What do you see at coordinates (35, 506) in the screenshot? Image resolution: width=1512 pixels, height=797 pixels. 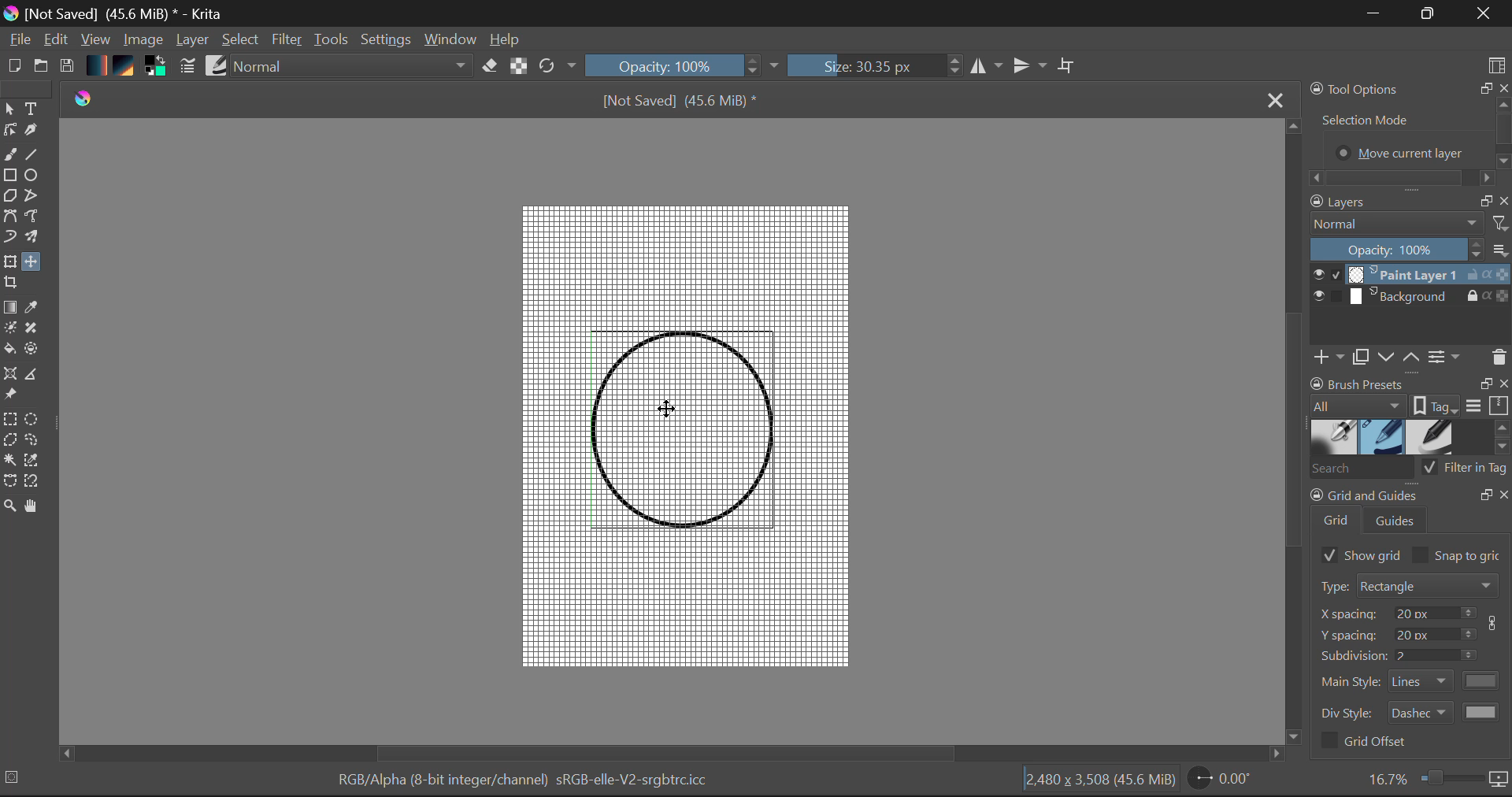 I see `Pan` at bounding box center [35, 506].